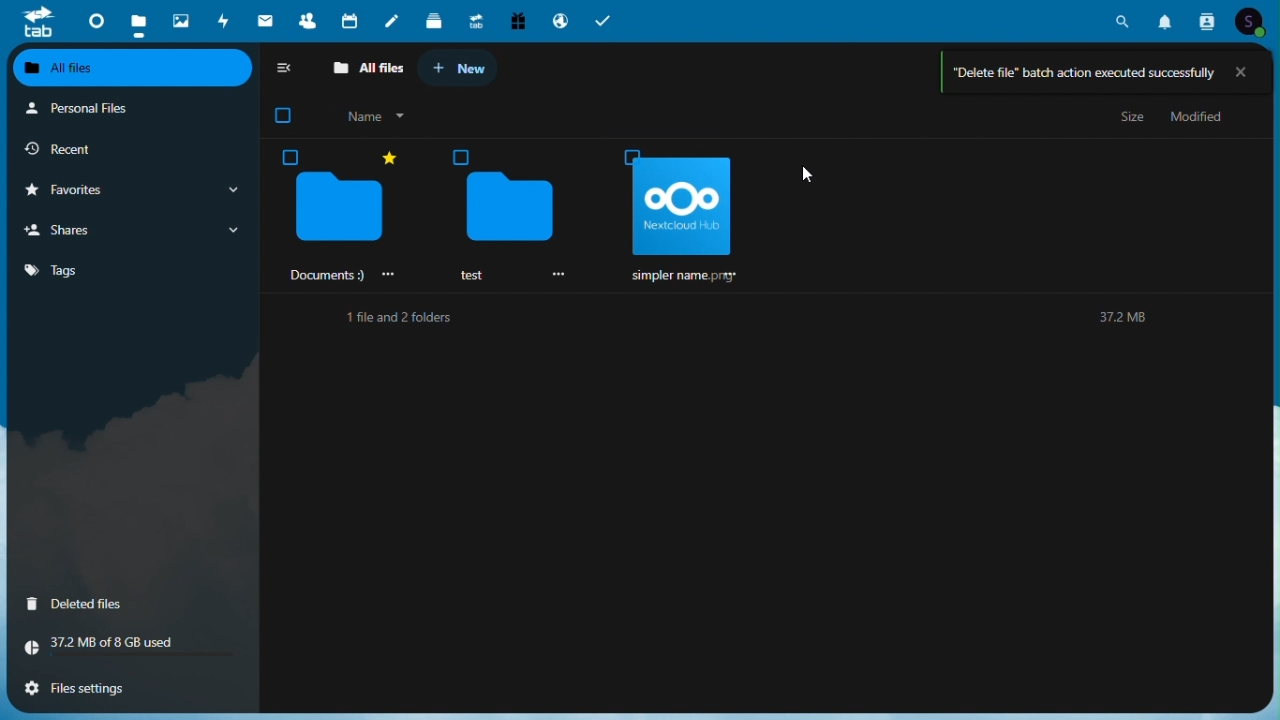 Image resolution: width=1280 pixels, height=720 pixels. Describe the element at coordinates (1247, 18) in the screenshot. I see `account icon` at that location.